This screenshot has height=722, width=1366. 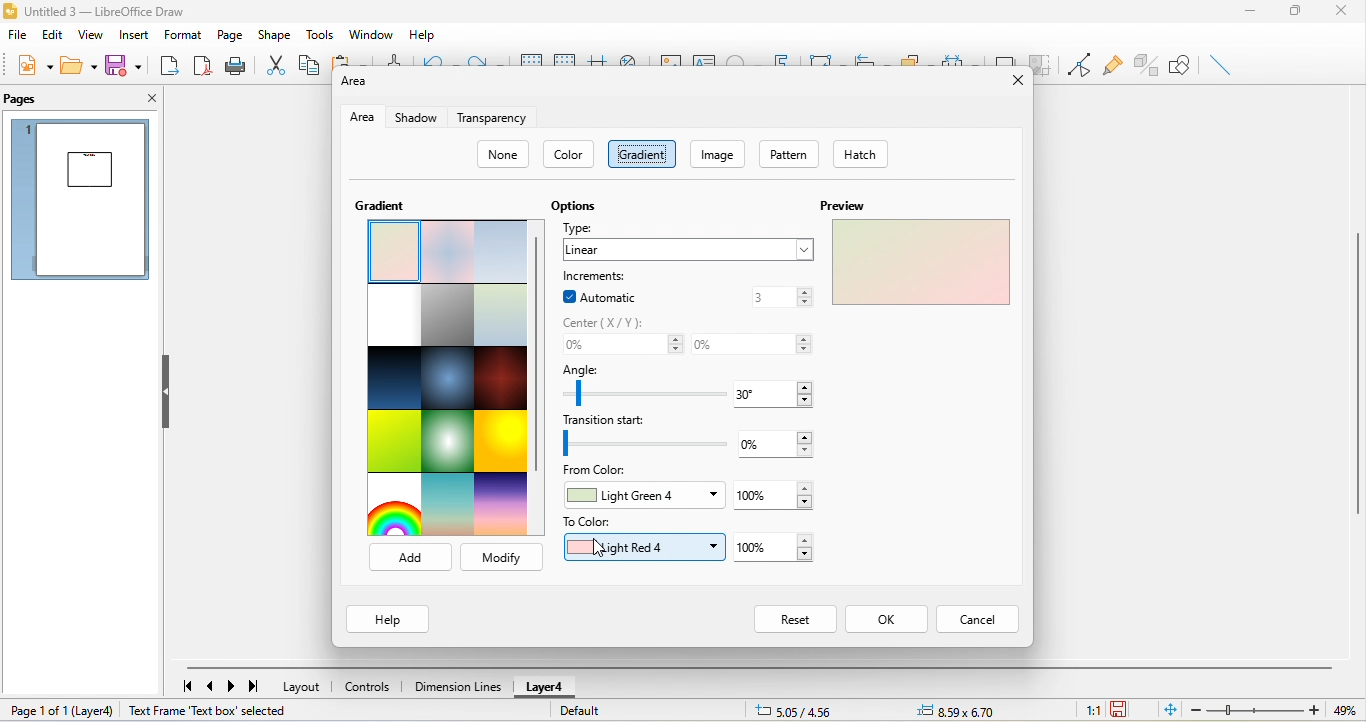 I want to click on special character, so click(x=742, y=57).